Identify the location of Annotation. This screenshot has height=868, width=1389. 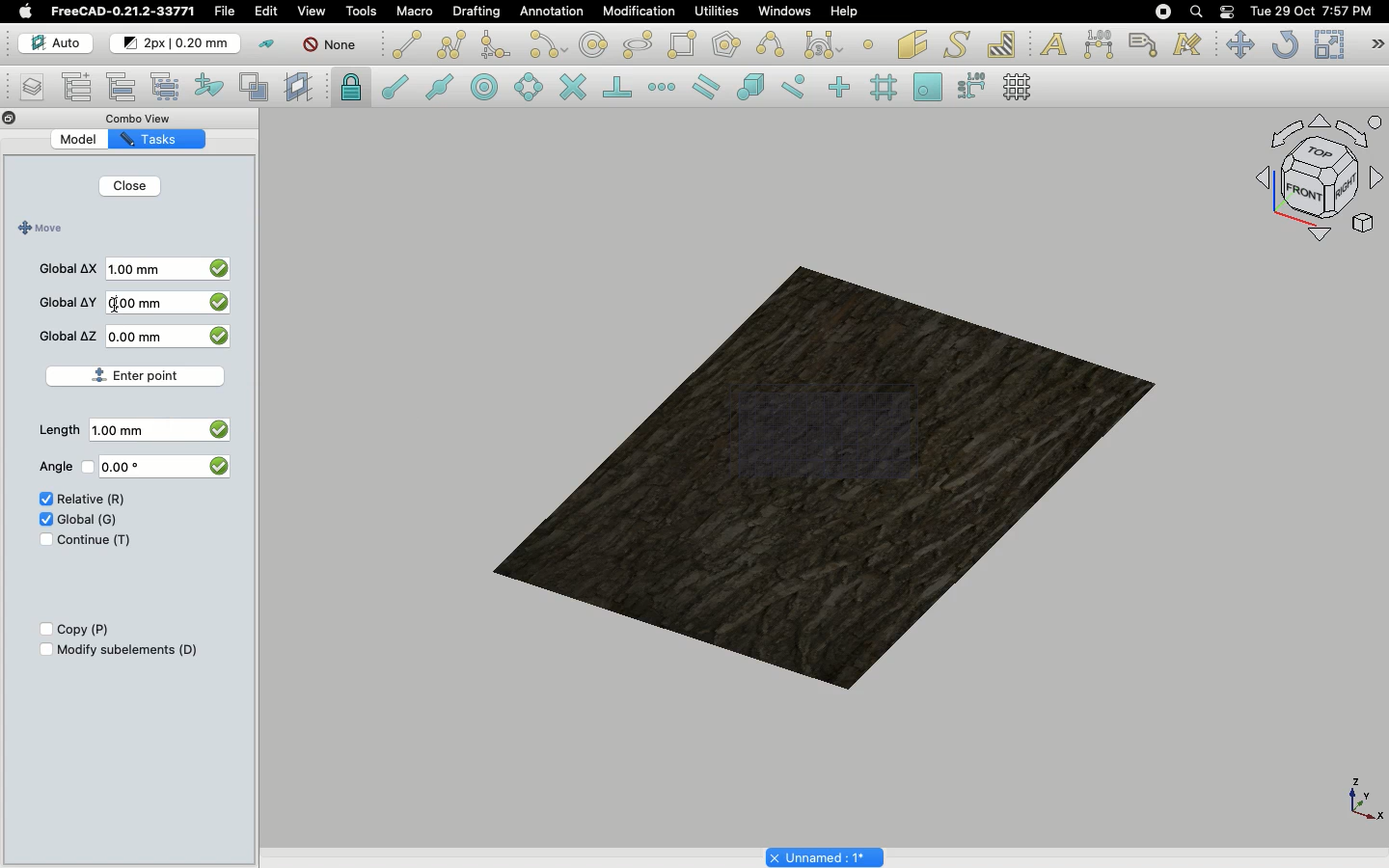
(552, 11).